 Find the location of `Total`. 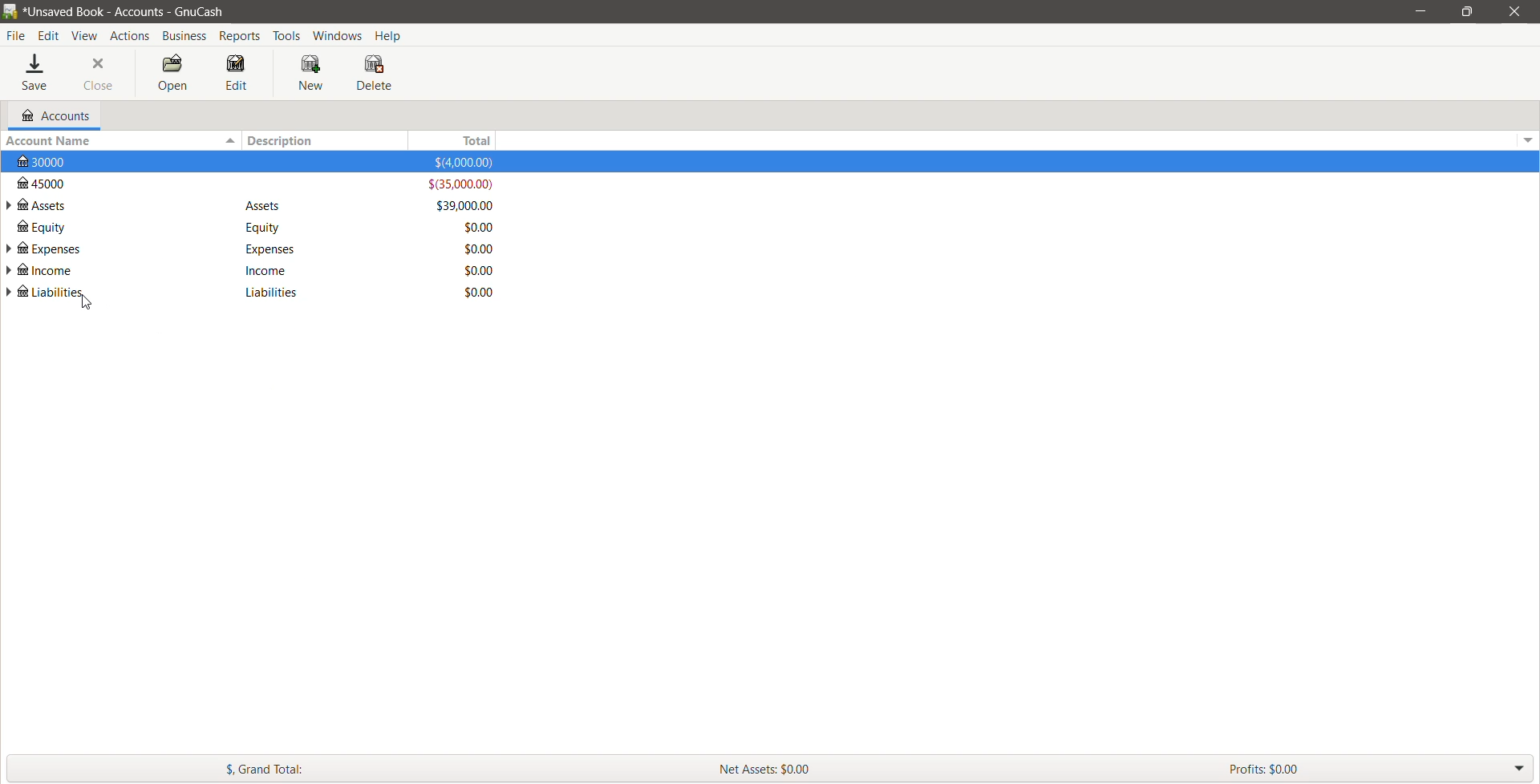

Total is located at coordinates (464, 140).